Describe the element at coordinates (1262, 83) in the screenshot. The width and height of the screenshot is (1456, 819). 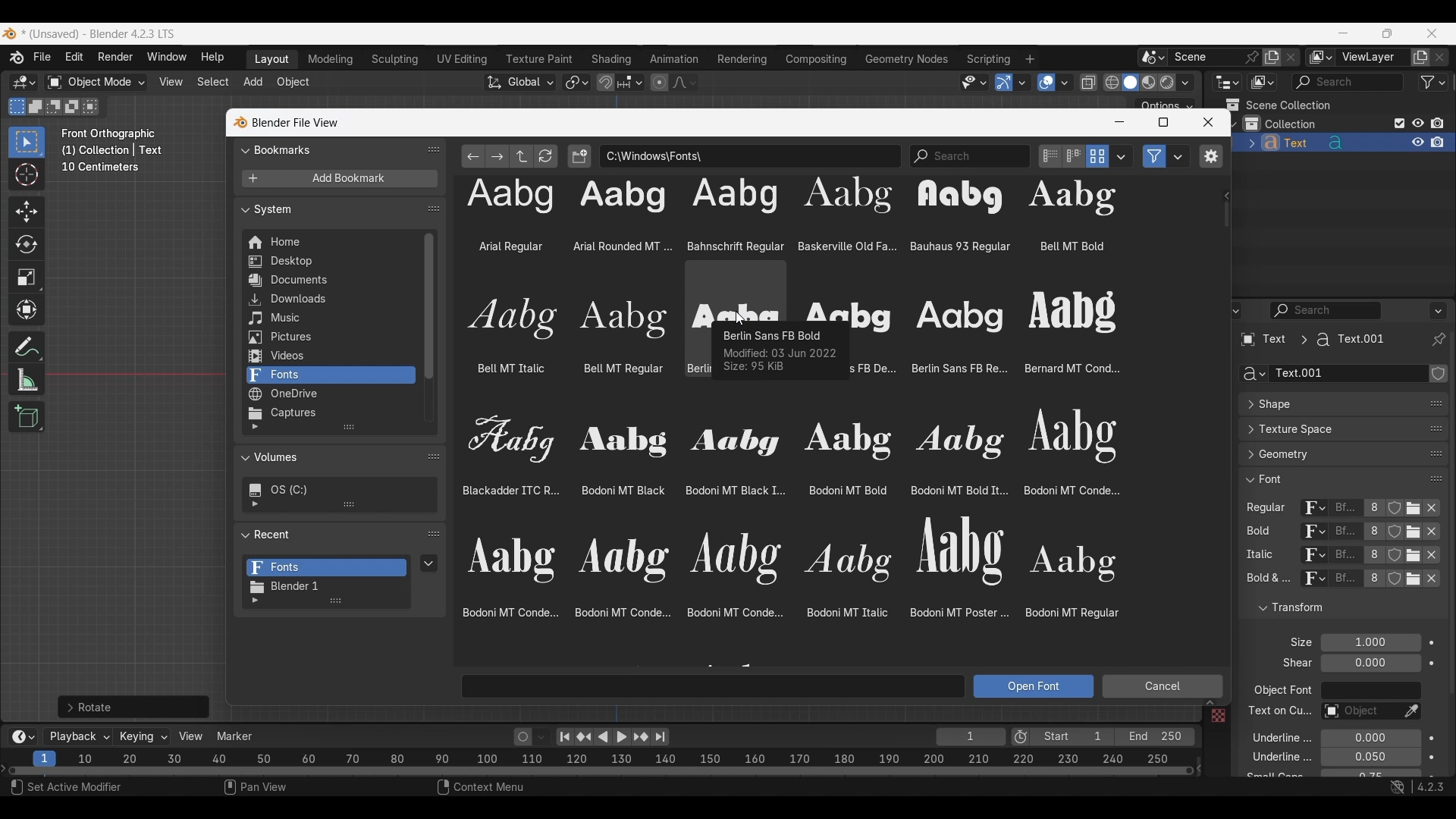
I see `Display mode` at that location.